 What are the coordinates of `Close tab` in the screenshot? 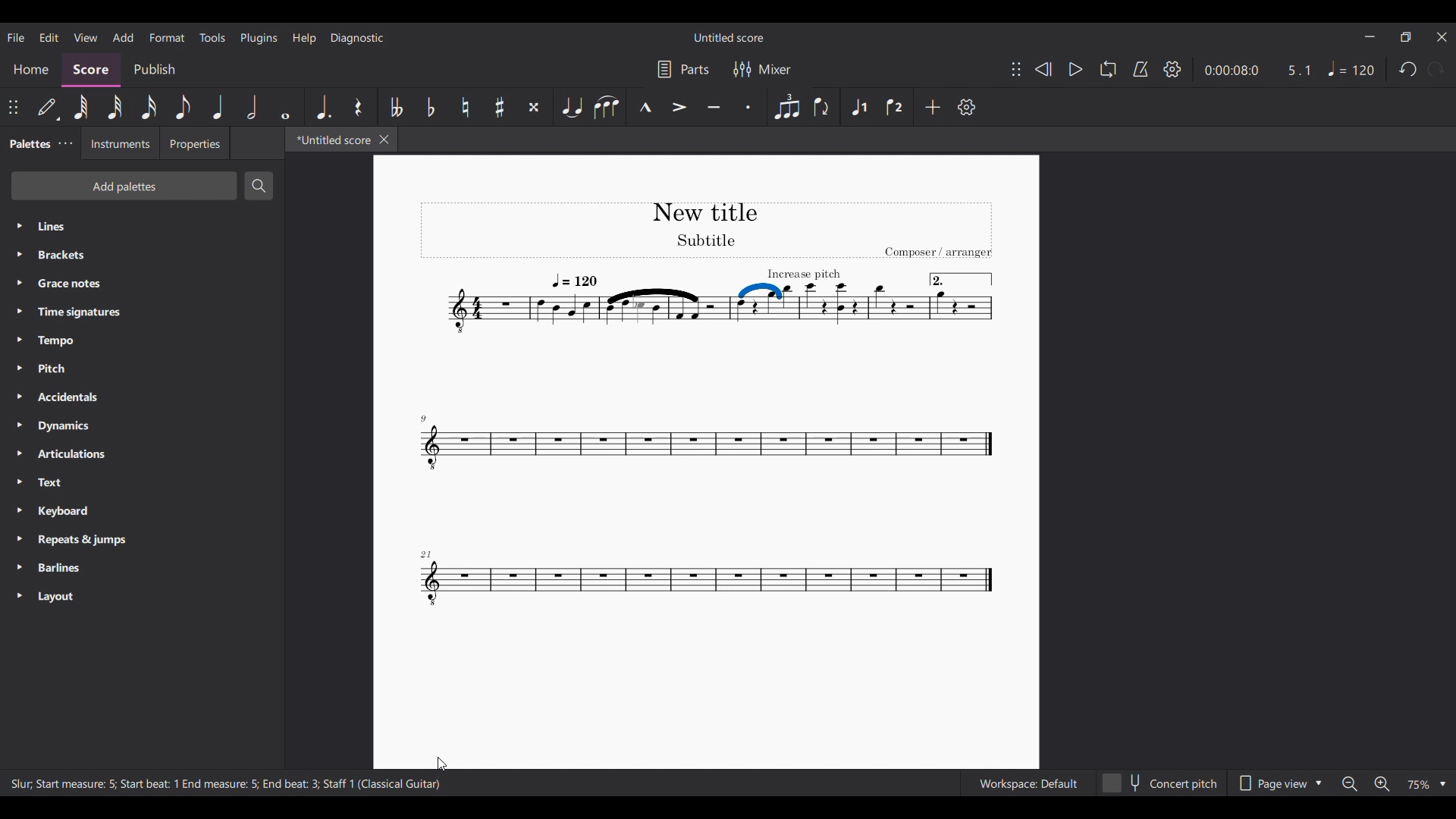 It's located at (384, 140).